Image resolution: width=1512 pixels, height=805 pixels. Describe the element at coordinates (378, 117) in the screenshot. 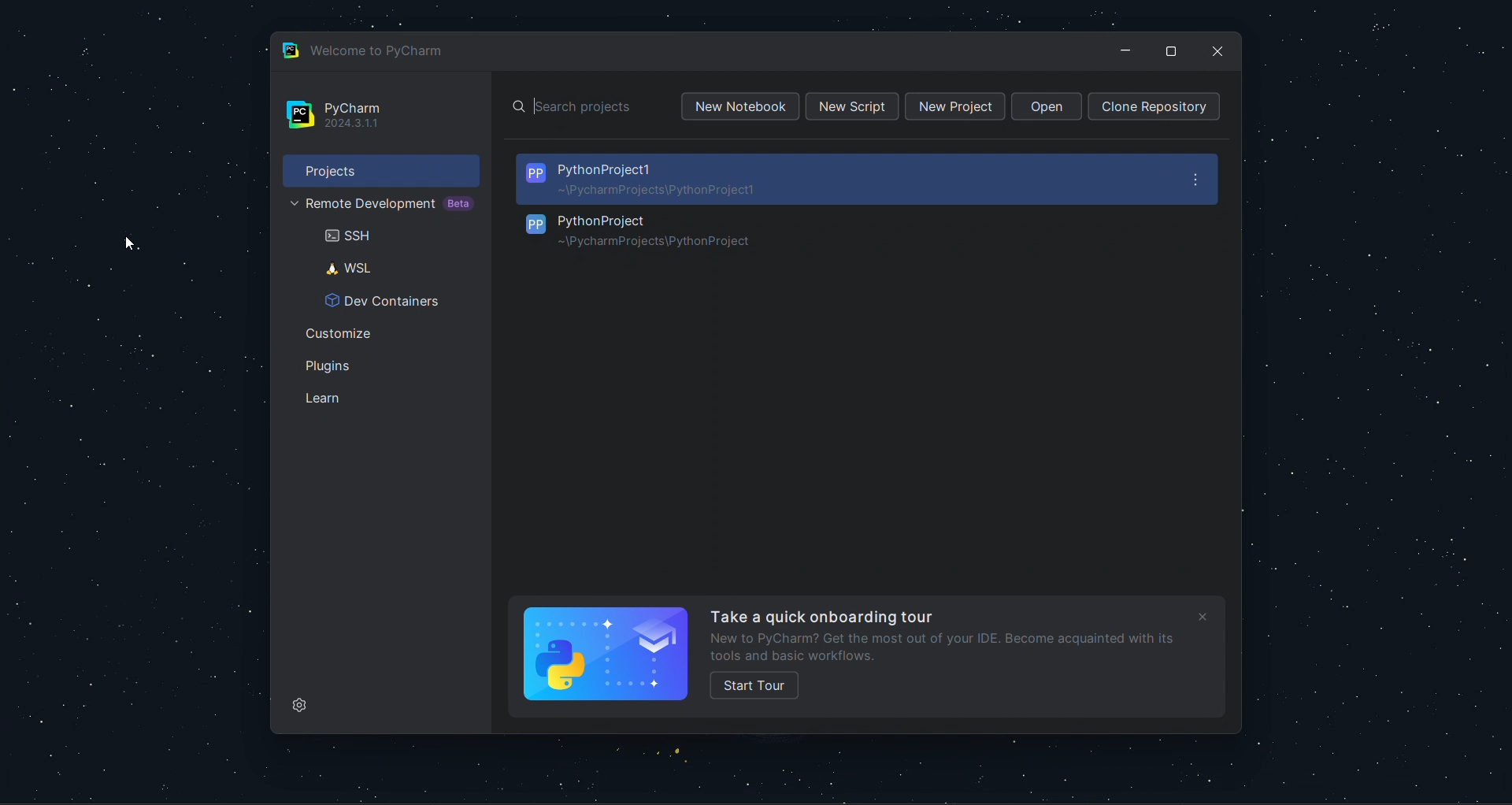

I see `pycharm` at that location.